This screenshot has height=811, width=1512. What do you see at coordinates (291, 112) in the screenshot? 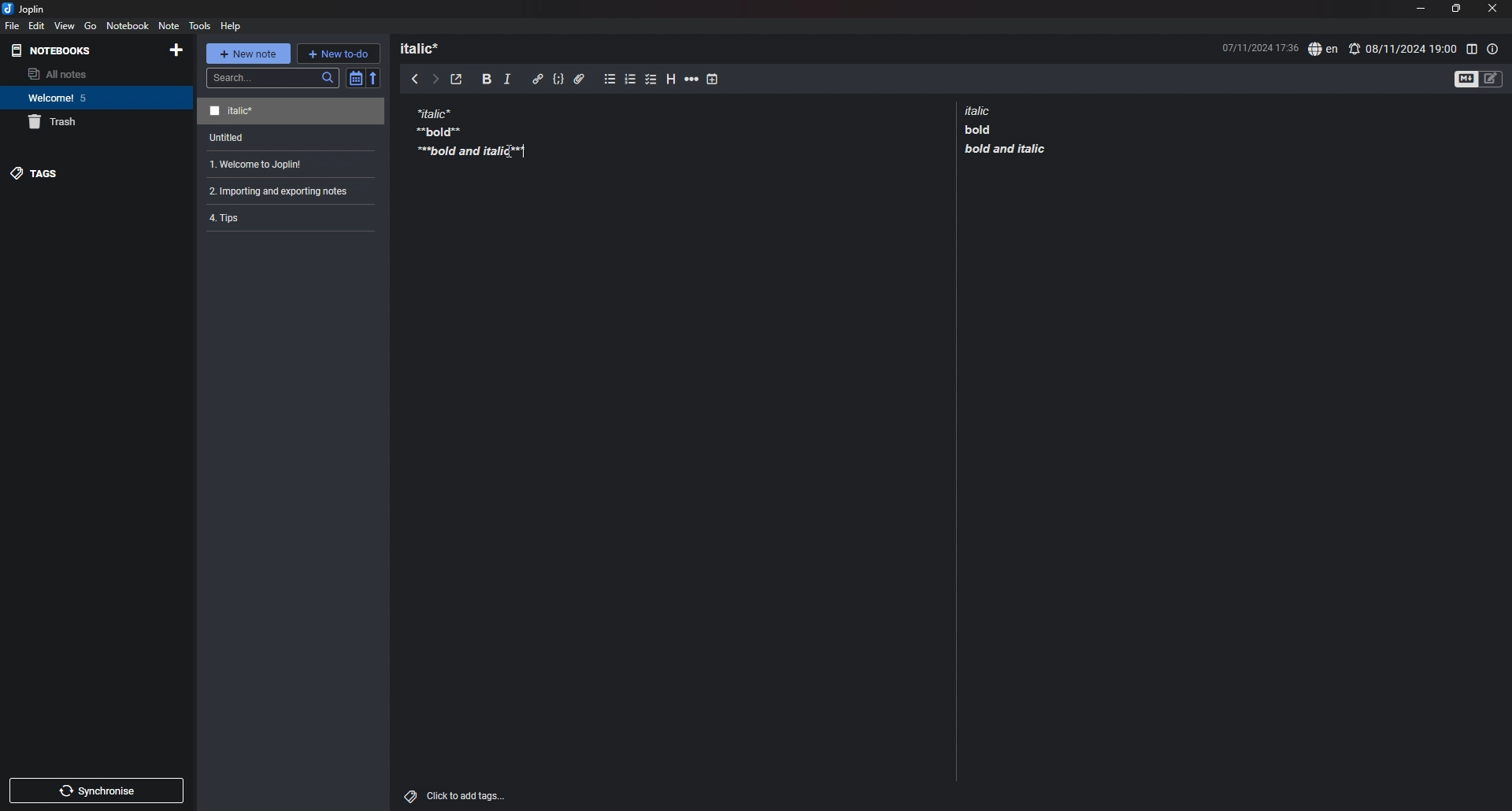
I see `note` at bounding box center [291, 112].